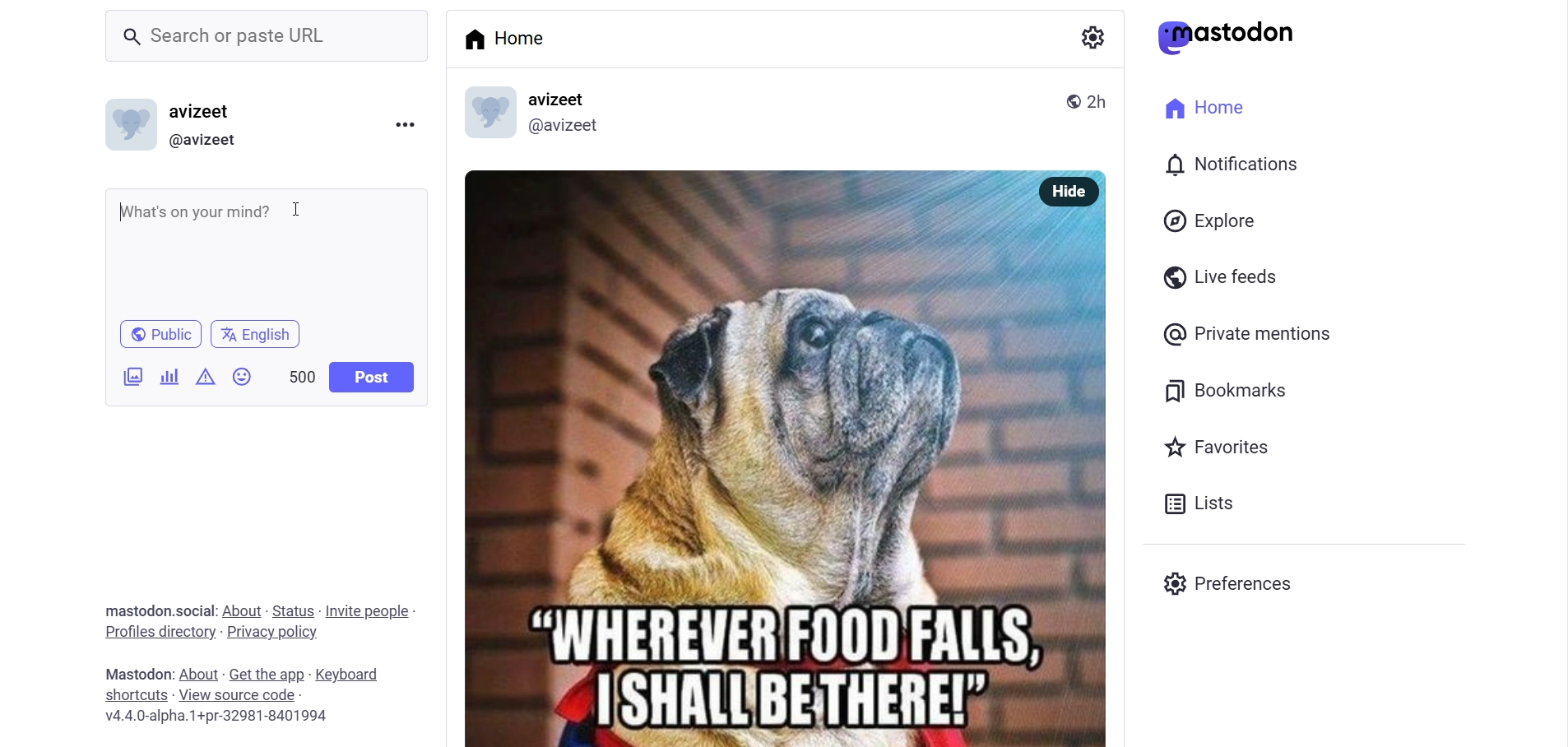  What do you see at coordinates (257, 622) in the screenshot?
I see `mastodon.social: About - Status - Invite people -
Profiles directory - Privacy policy.` at bounding box center [257, 622].